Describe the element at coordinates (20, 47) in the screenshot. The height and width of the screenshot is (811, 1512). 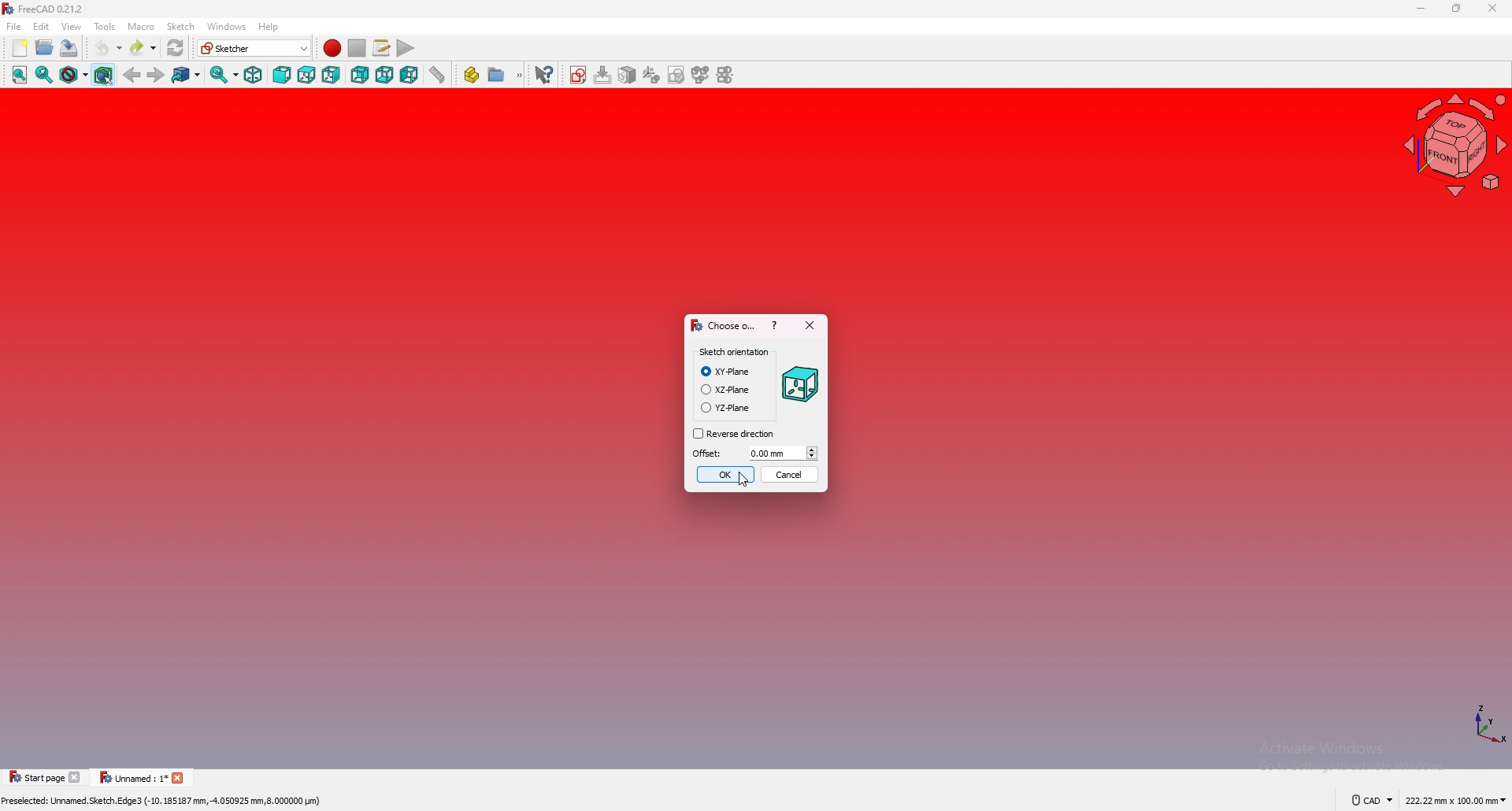
I see `new` at that location.